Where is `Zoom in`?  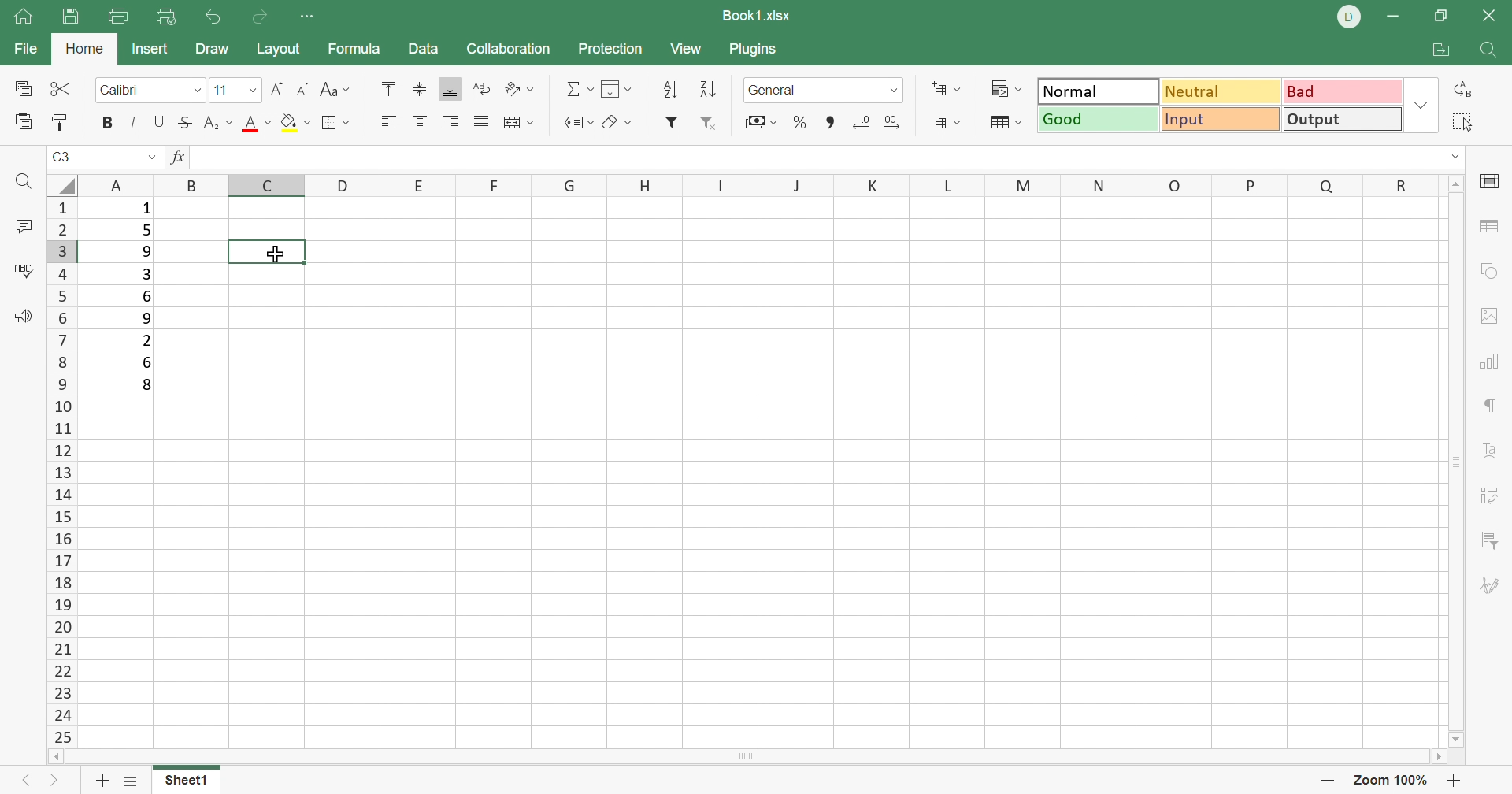
Zoom in is located at coordinates (1455, 781).